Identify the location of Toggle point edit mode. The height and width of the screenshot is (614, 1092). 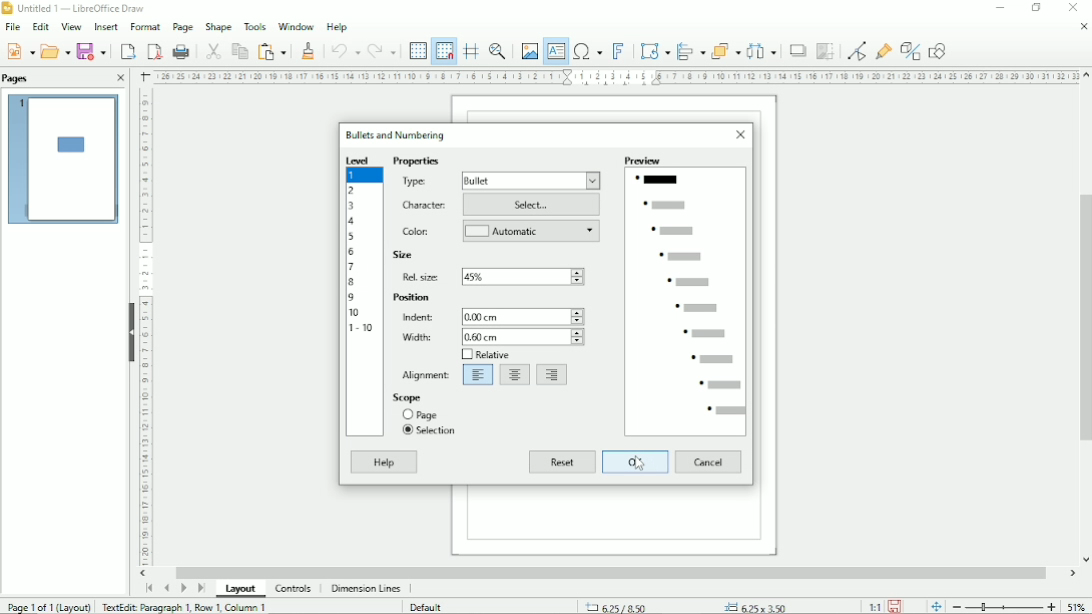
(857, 50).